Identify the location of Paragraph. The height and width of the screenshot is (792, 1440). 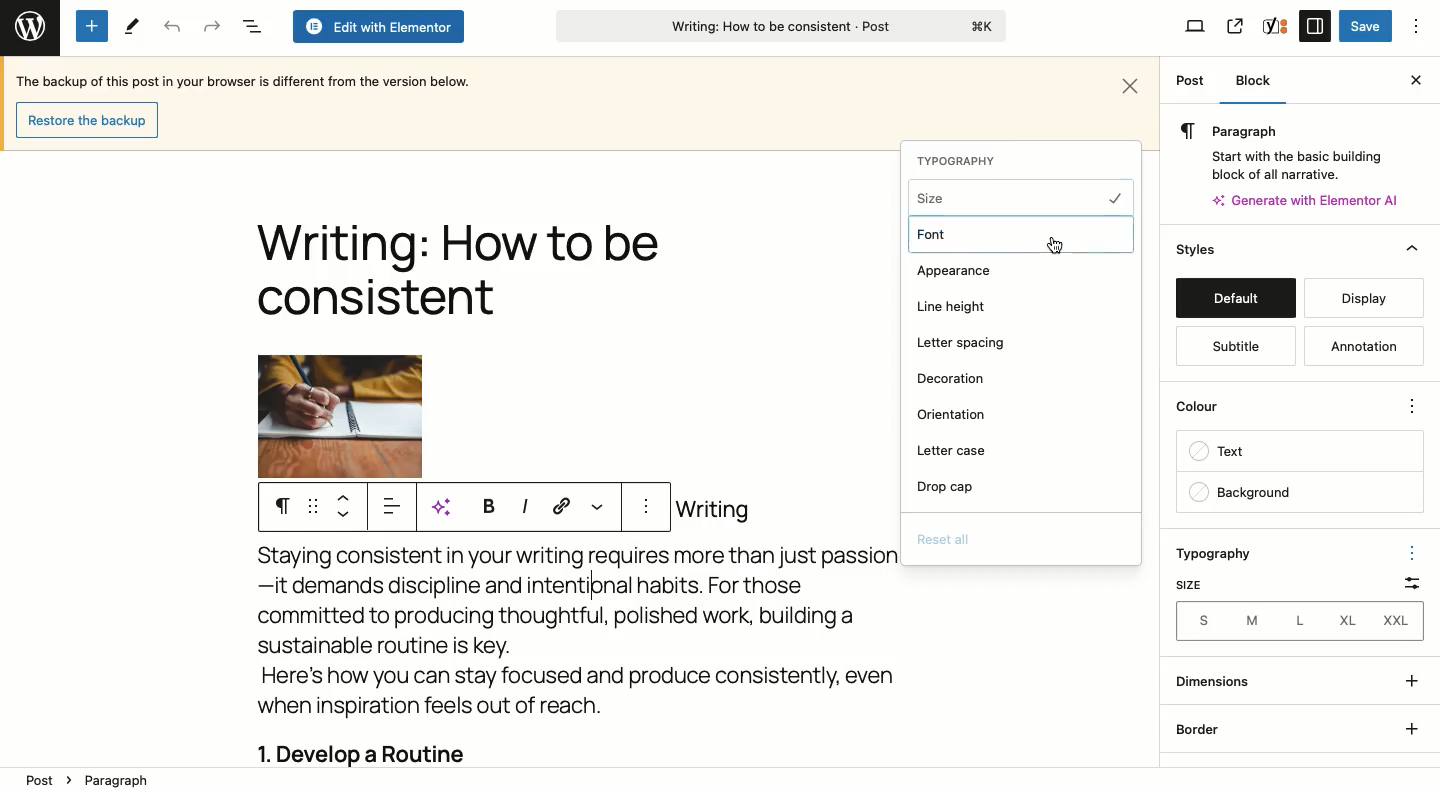
(130, 779).